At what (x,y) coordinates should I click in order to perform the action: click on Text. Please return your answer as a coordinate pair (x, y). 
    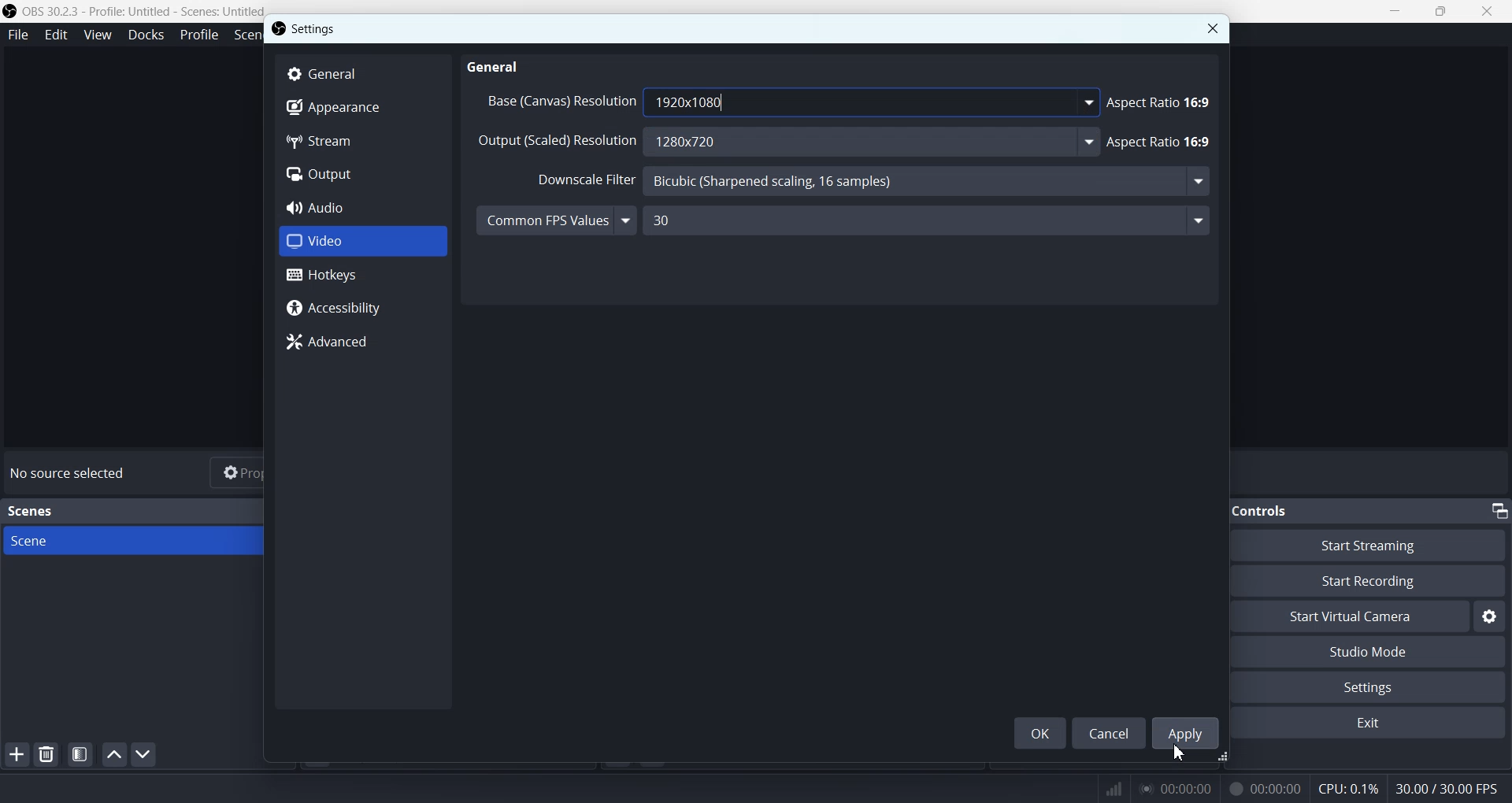
    Looking at the image, I should click on (1454, 785).